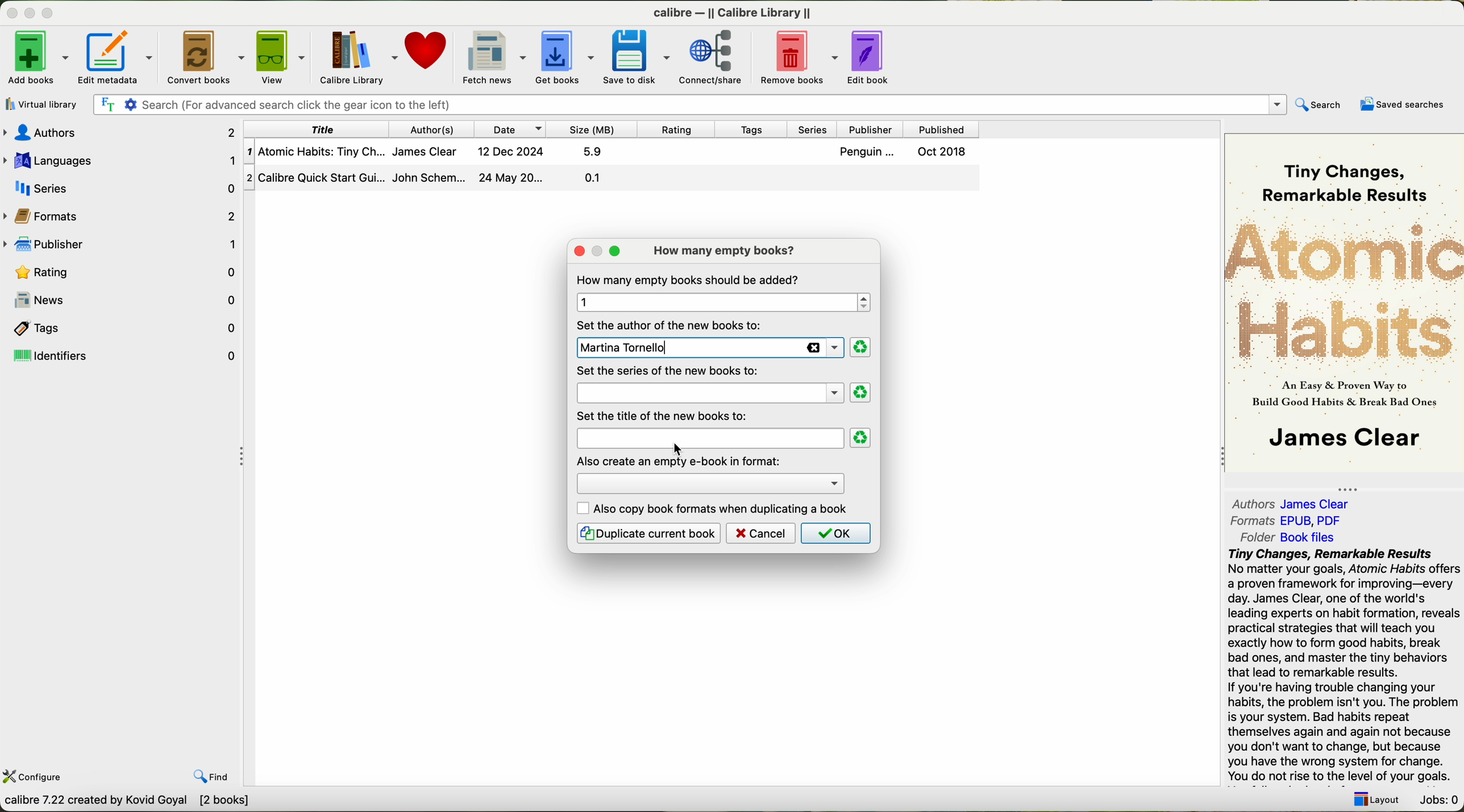  I want to click on close program, so click(9, 9).